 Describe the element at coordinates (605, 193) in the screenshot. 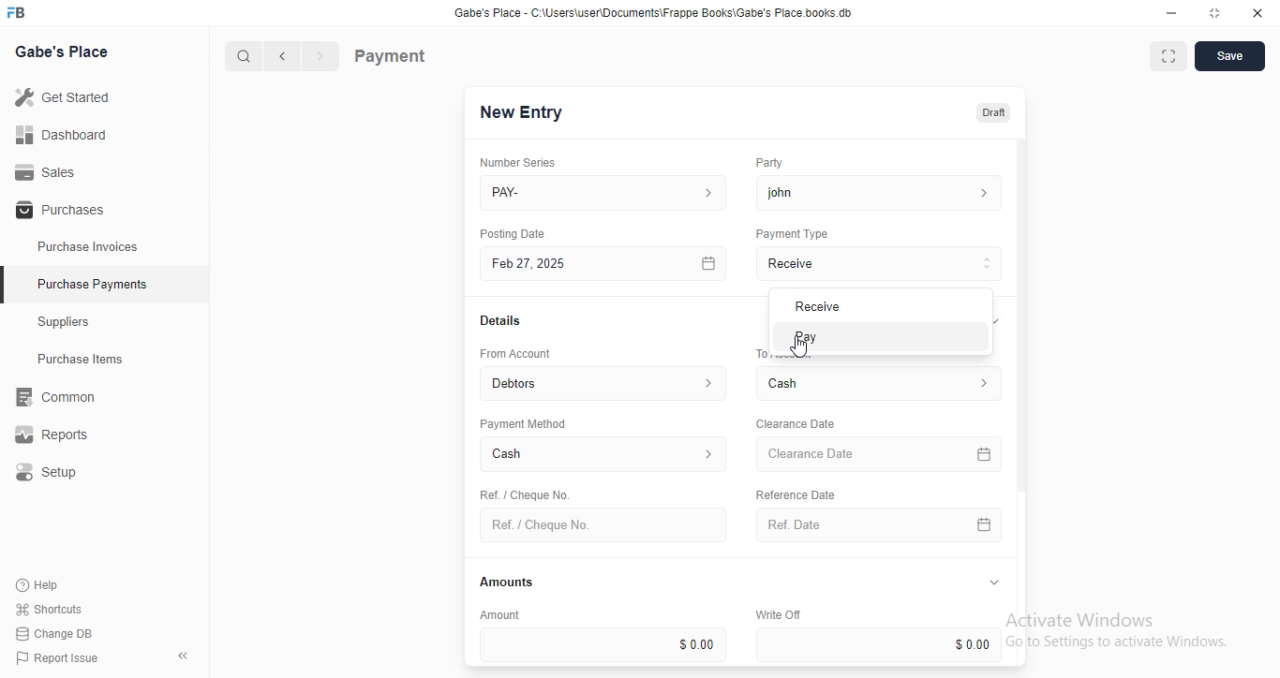

I see `PAY-` at that location.